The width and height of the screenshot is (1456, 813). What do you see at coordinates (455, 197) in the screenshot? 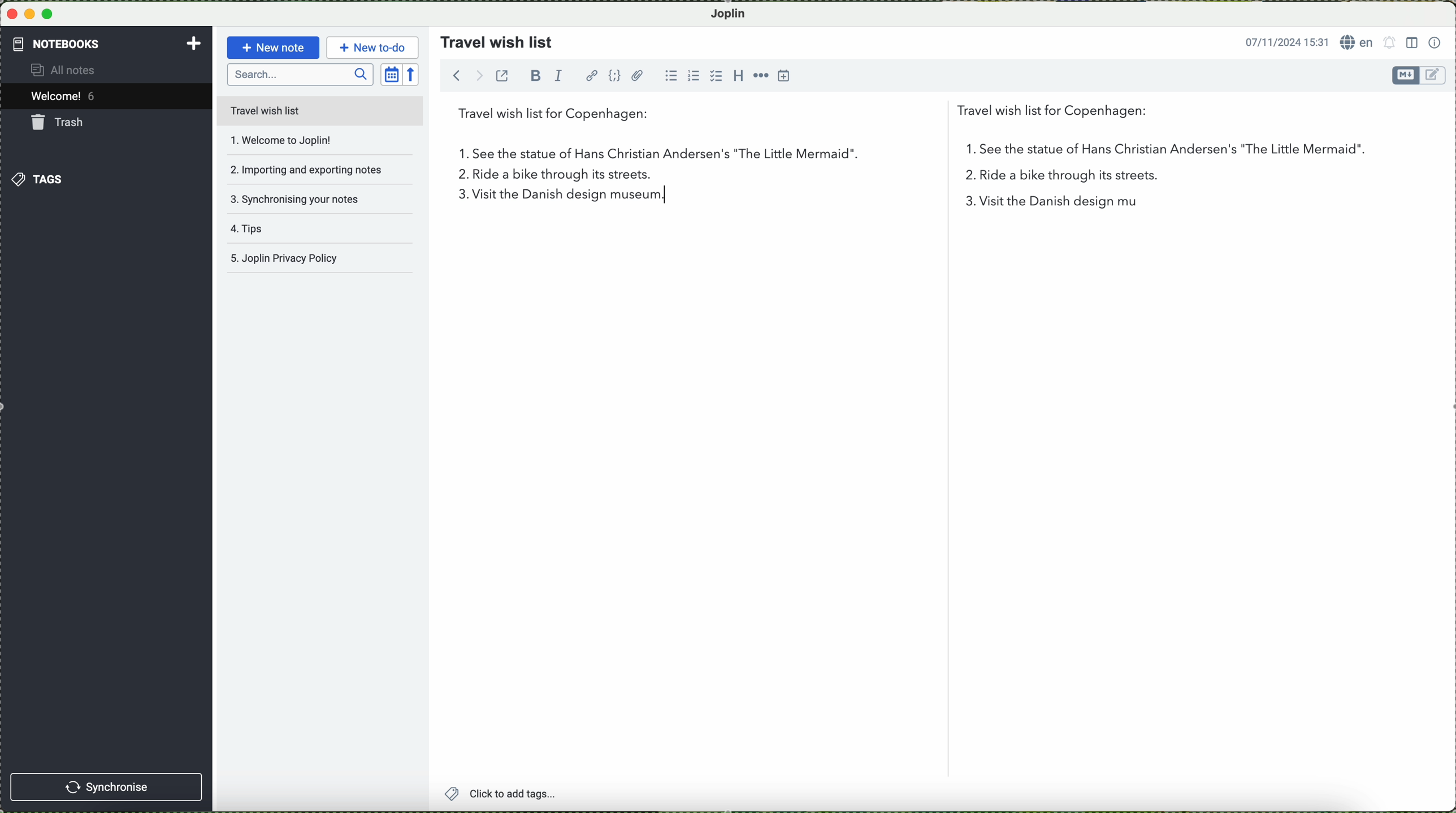
I see `3 on the list` at bounding box center [455, 197].